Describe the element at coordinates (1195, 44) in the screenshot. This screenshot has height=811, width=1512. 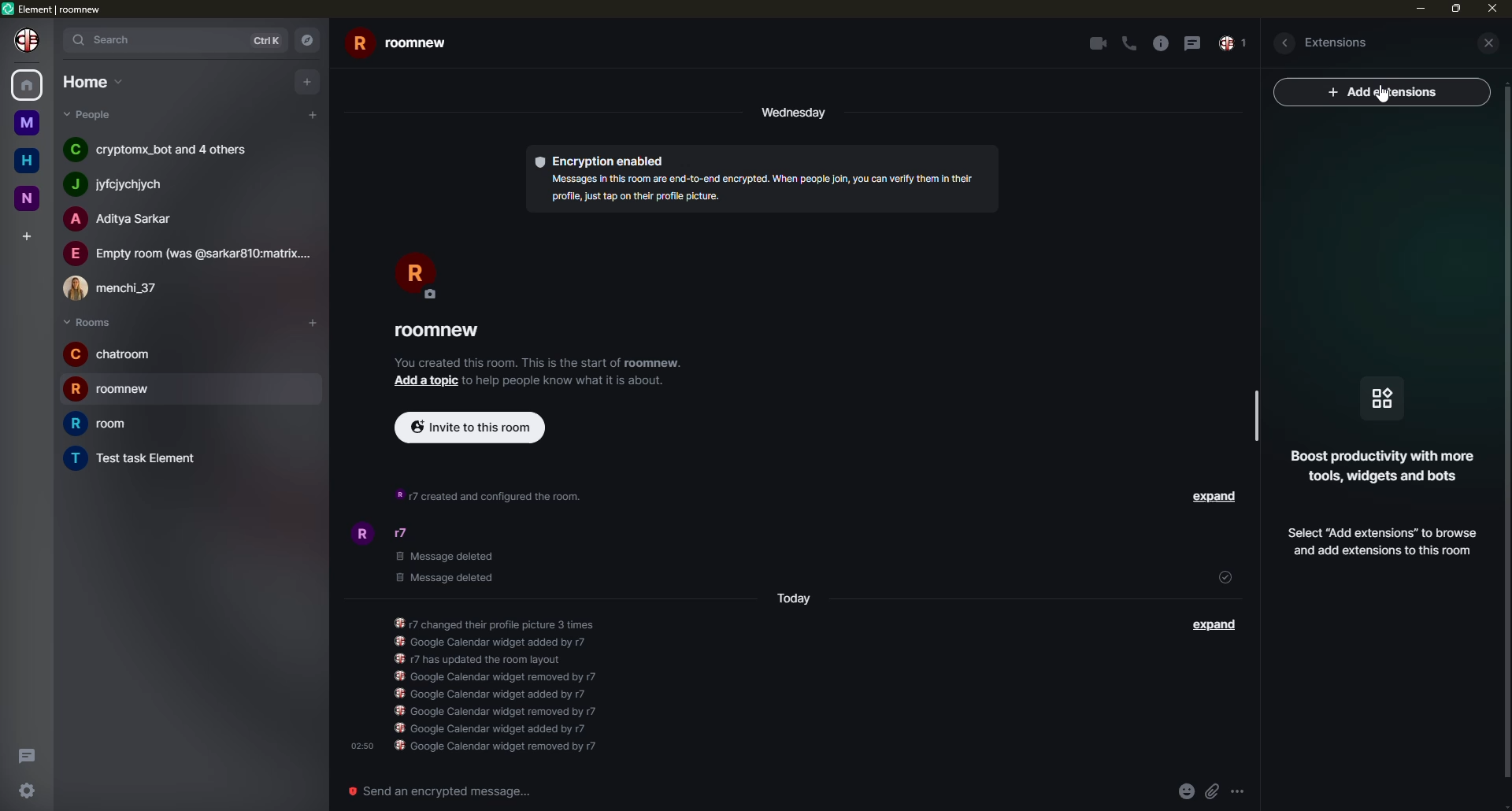
I see `message` at that location.